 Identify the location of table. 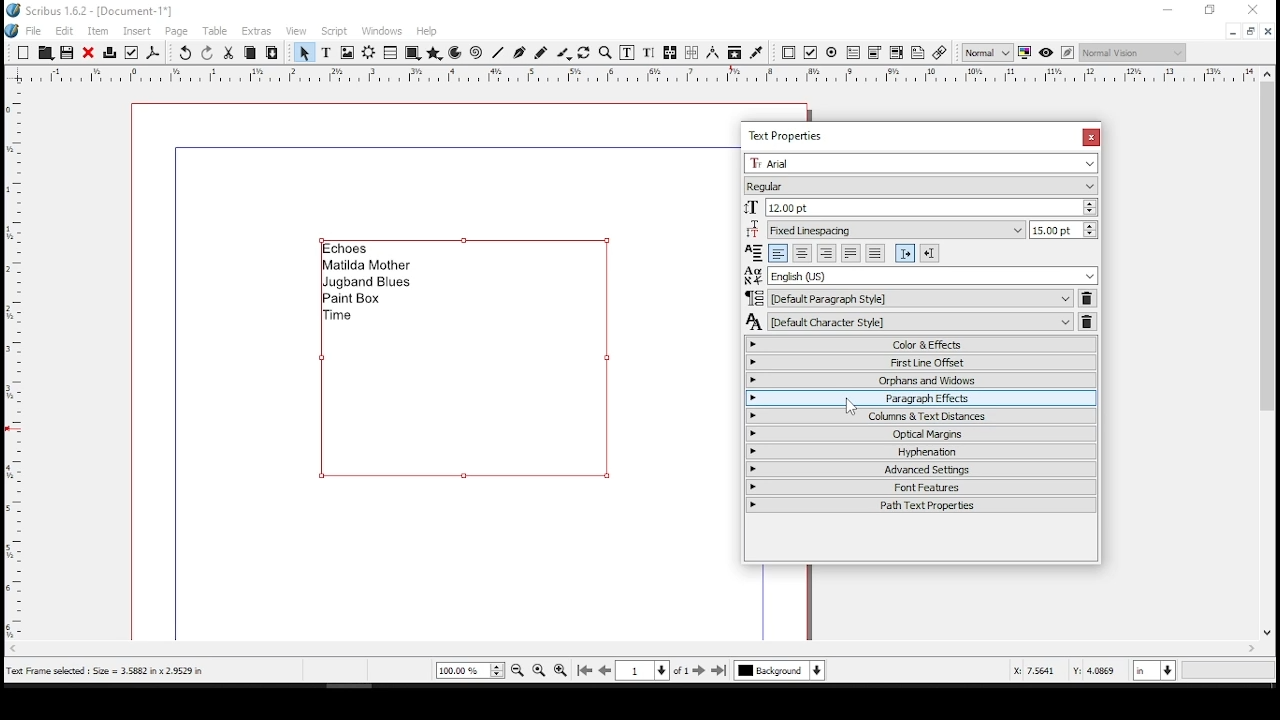
(218, 31).